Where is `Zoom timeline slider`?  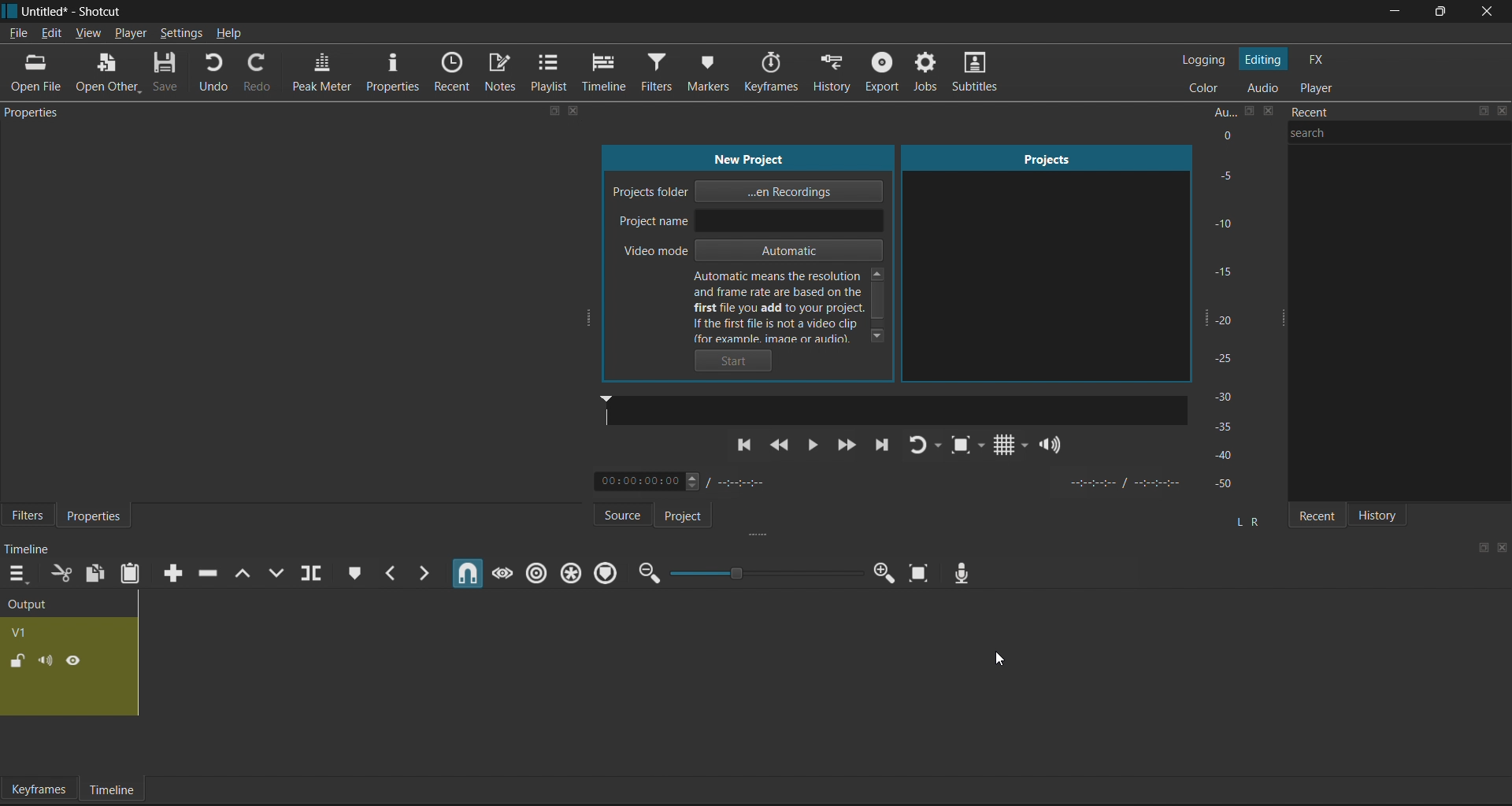 Zoom timeline slider is located at coordinates (762, 575).